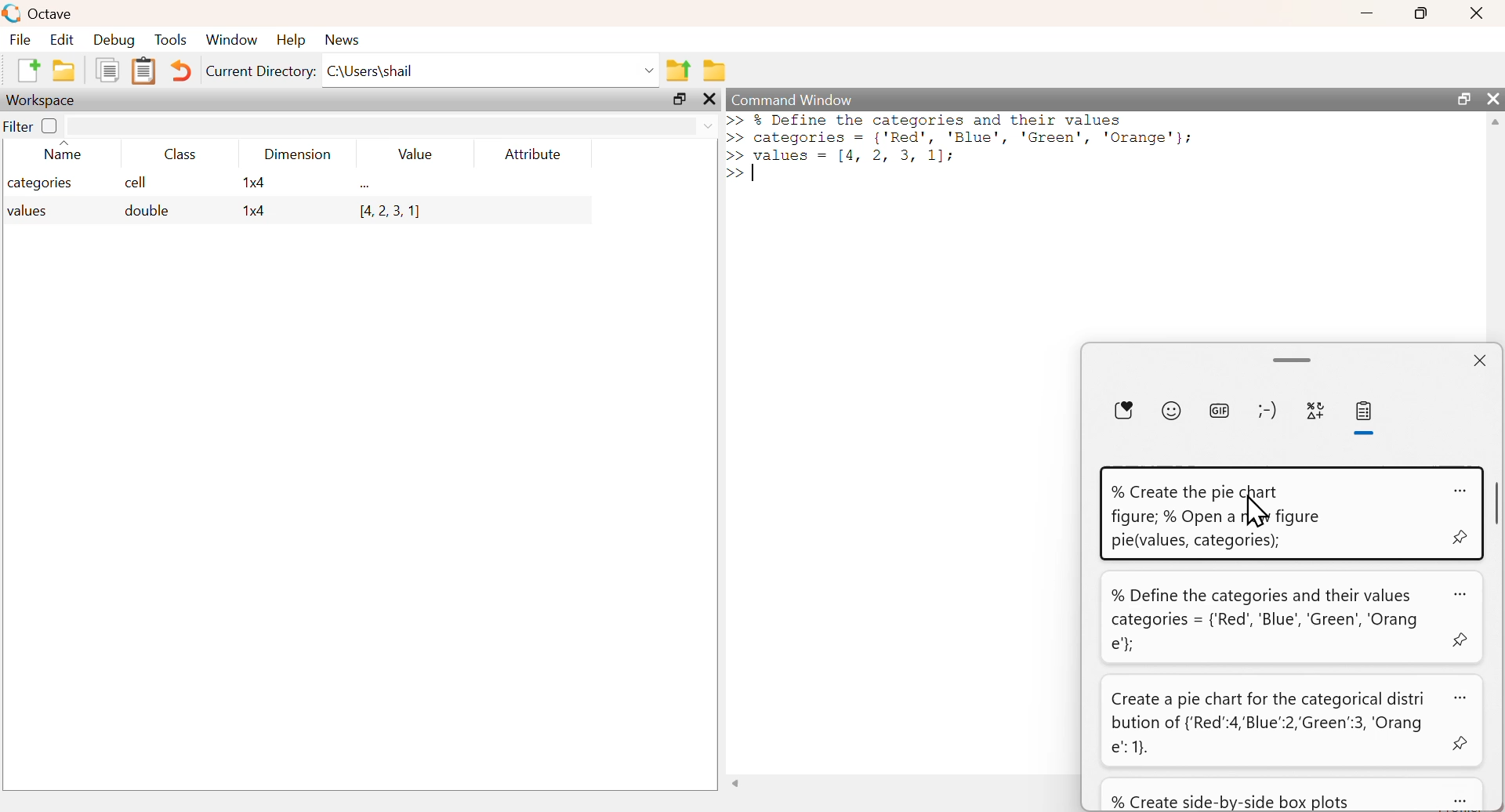  Describe the element at coordinates (61, 40) in the screenshot. I see `Edit` at that location.